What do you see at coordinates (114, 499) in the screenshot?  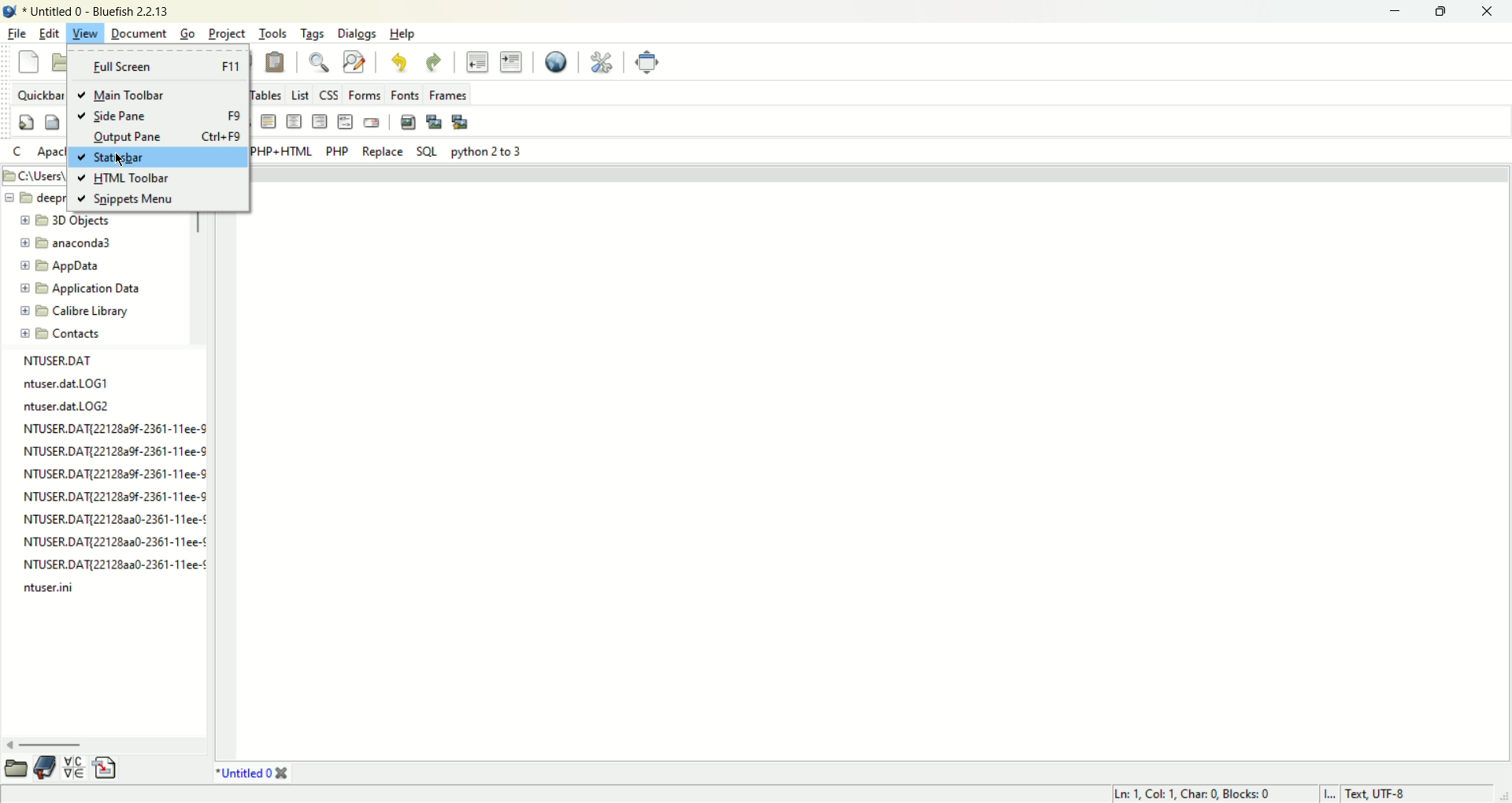 I see `NTUSER.DAT{22128a9f-2361-11ee-S` at bounding box center [114, 499].